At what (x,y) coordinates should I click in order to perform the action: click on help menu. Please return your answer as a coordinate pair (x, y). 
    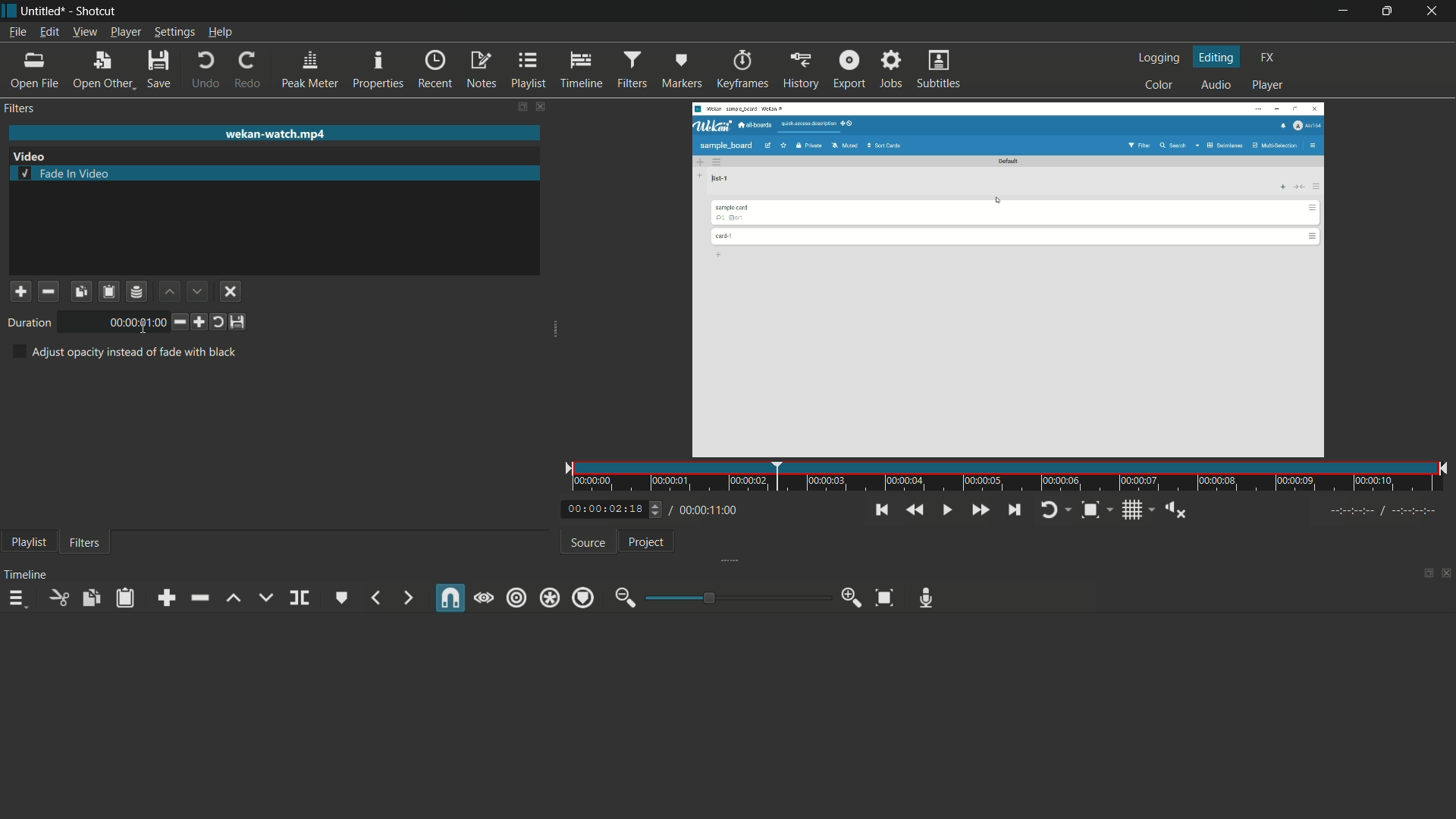
    Looking at the image, I should click on (222, 32).